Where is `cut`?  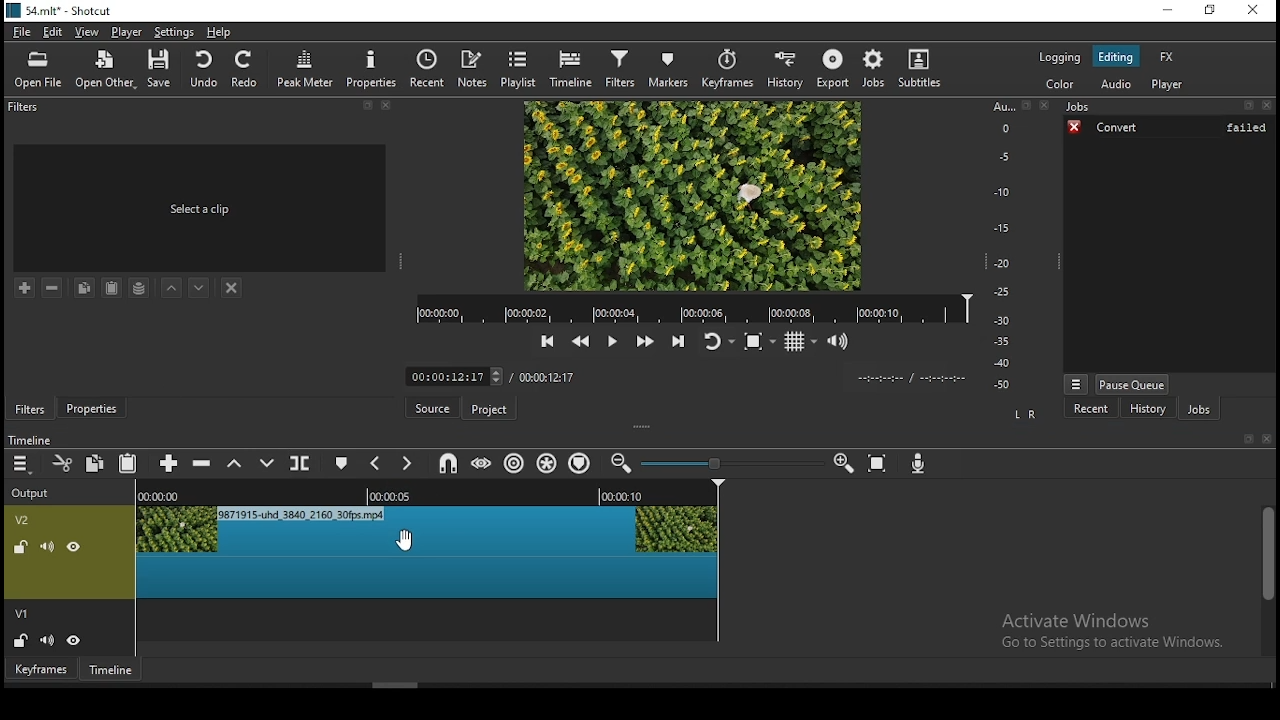 cut is located at coordinates (63, 463).